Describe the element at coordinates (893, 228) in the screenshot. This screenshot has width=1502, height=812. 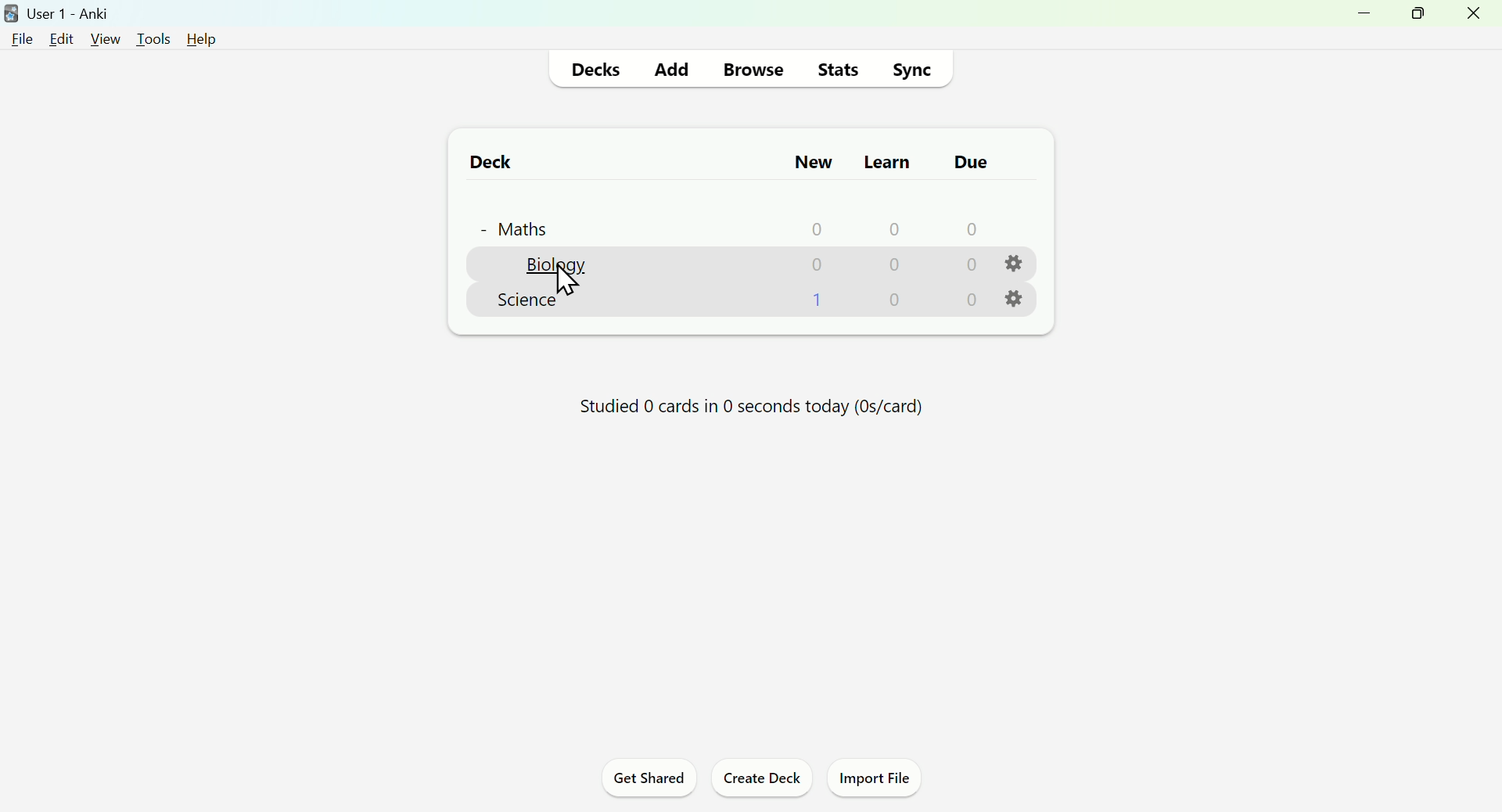
I see `0` at that location.